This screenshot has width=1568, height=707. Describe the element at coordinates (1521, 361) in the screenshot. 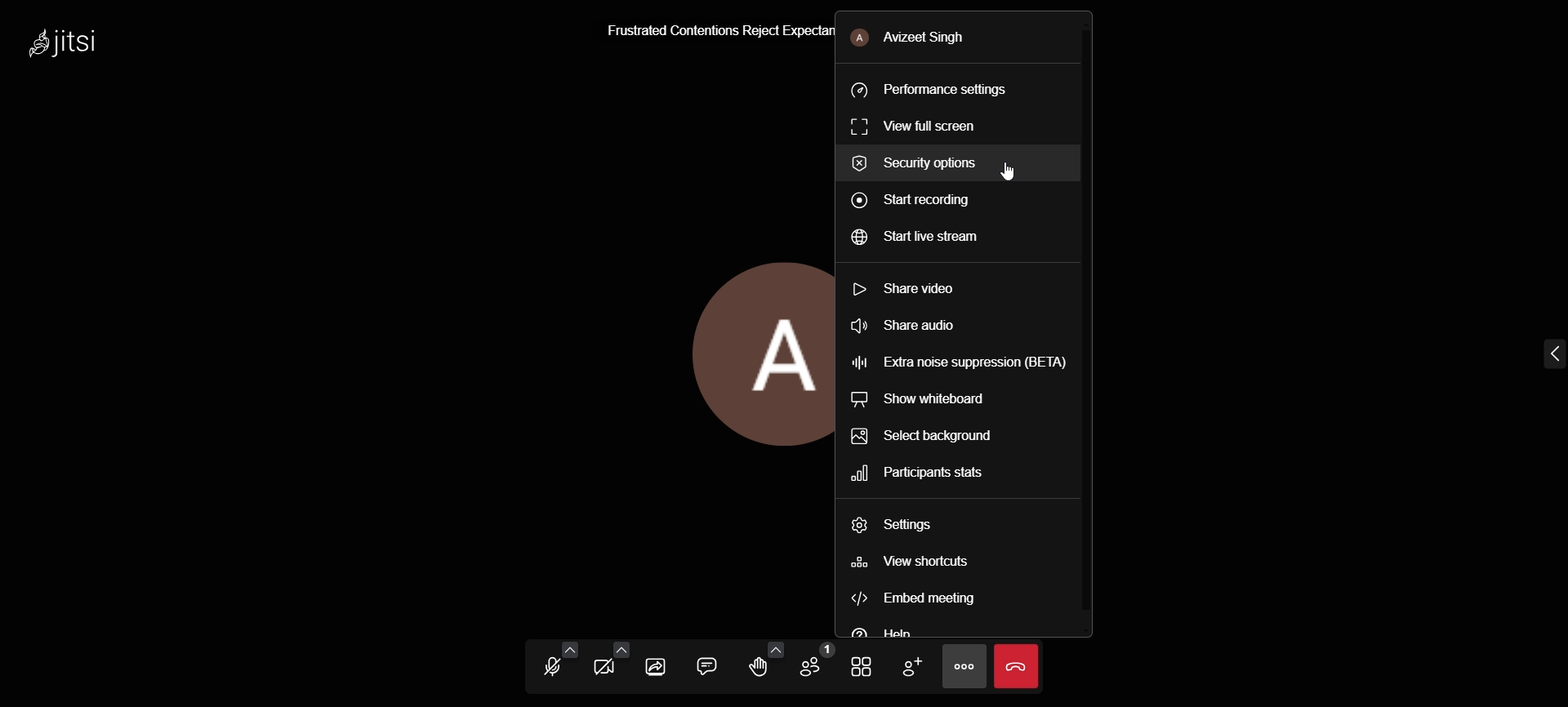

I see `expand` at that location.